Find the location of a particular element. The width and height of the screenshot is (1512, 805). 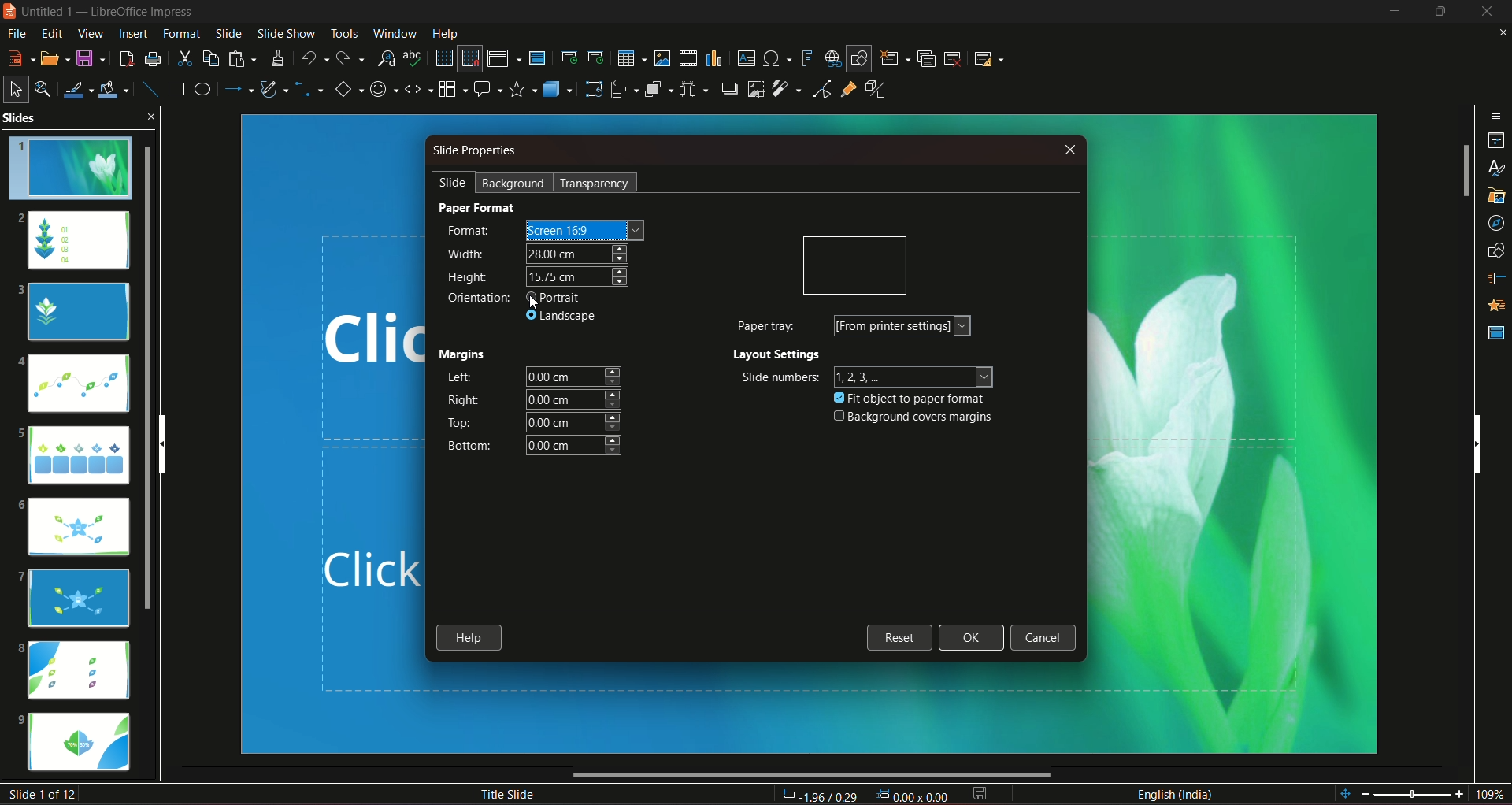

close is located at coordinates (1067, 150).